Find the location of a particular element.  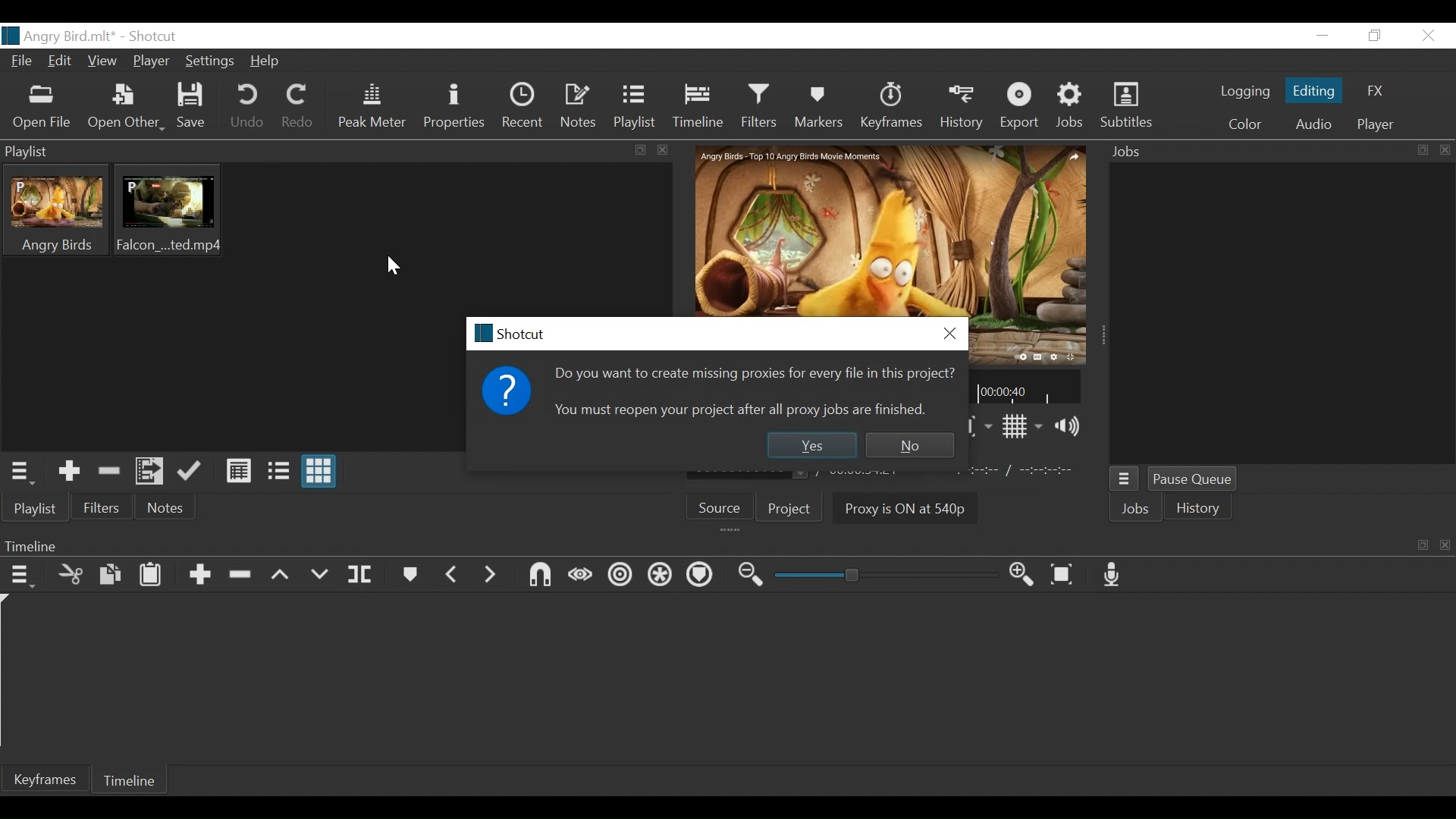

Zoom slider is located at coordinates (879, 576).